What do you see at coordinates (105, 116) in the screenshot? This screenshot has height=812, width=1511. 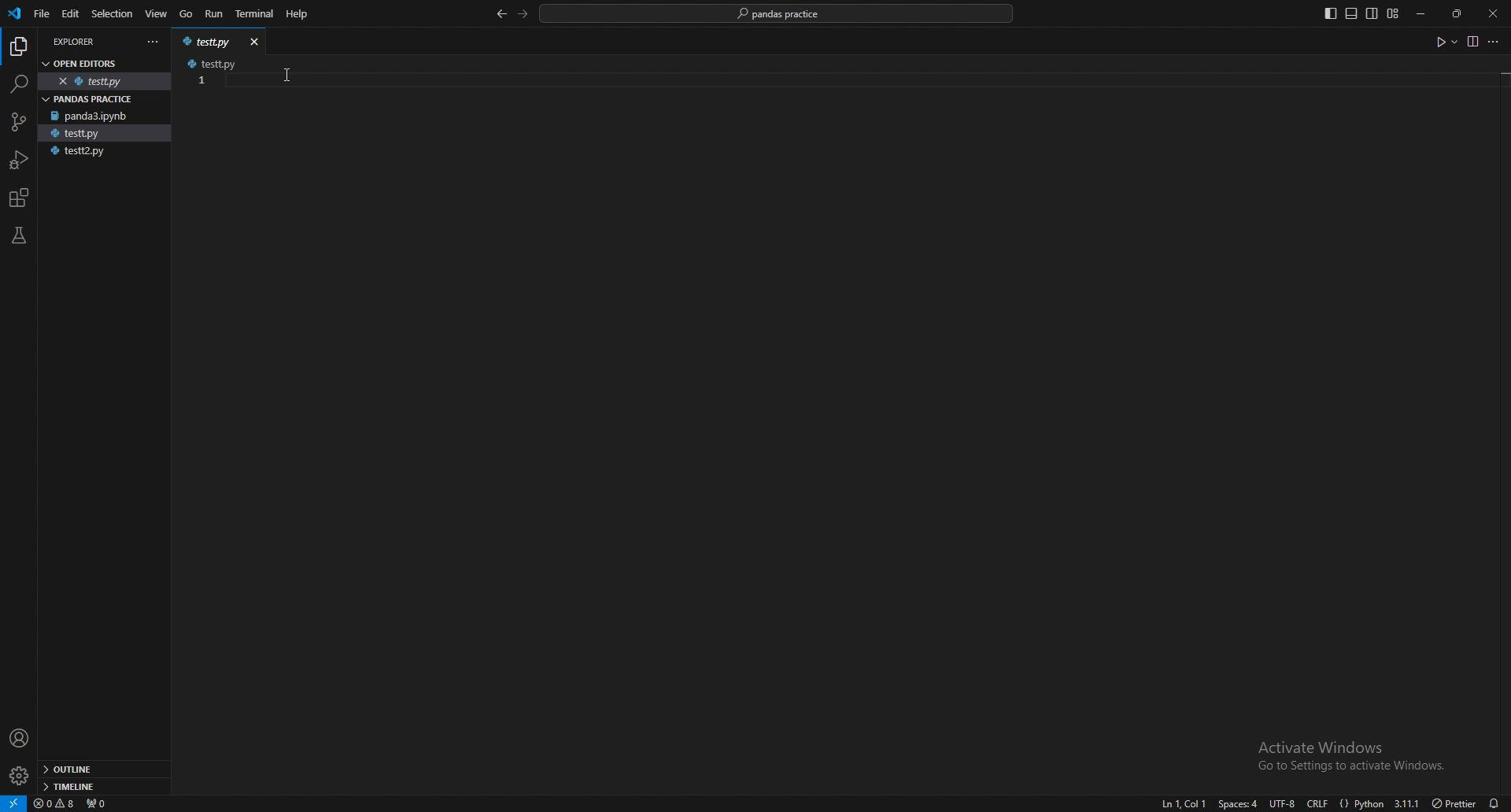 I see `panda3.ipynb` at bounding box center [105, 116].